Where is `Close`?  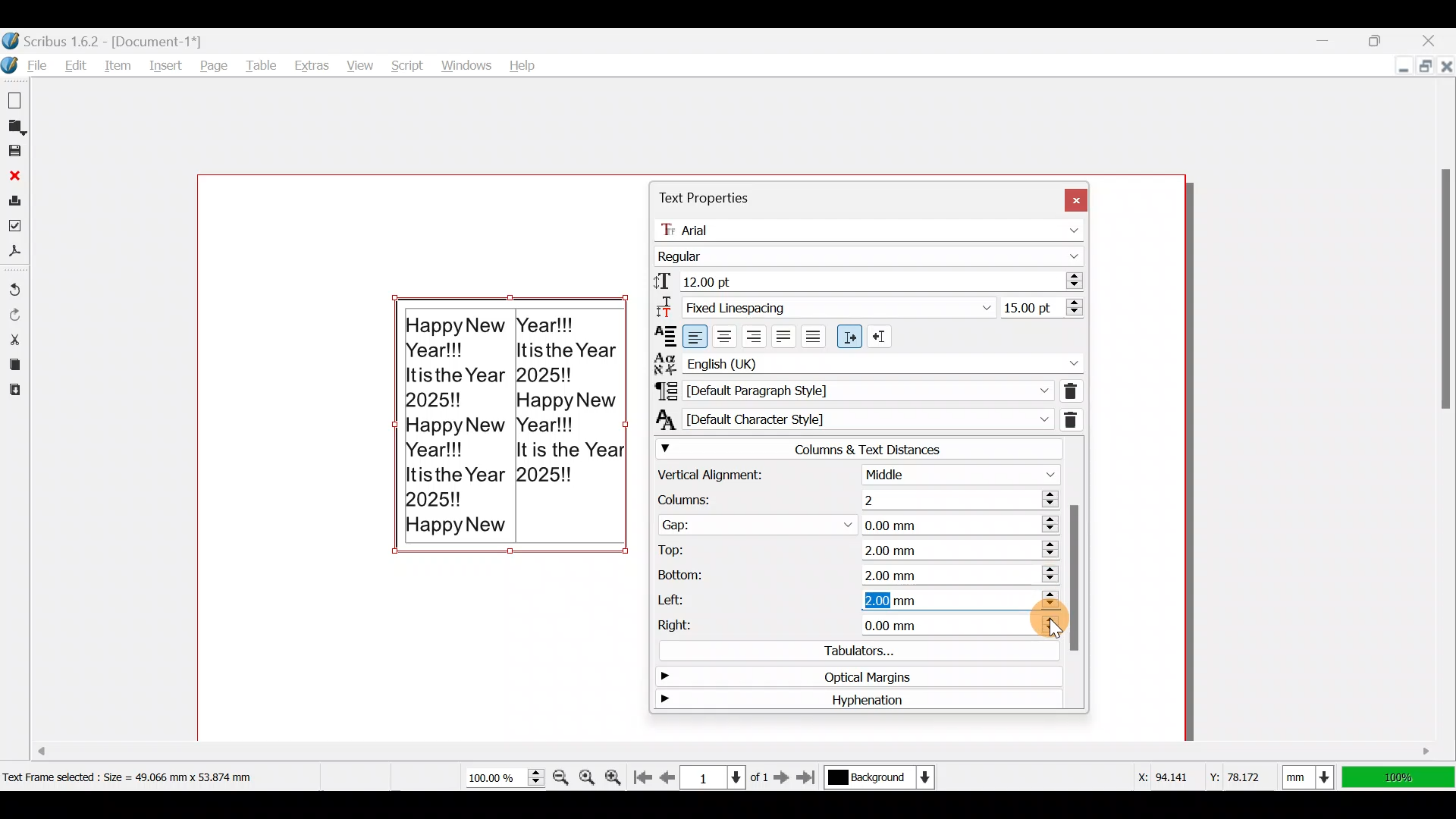
Close is located at coordinates (1445, 65).